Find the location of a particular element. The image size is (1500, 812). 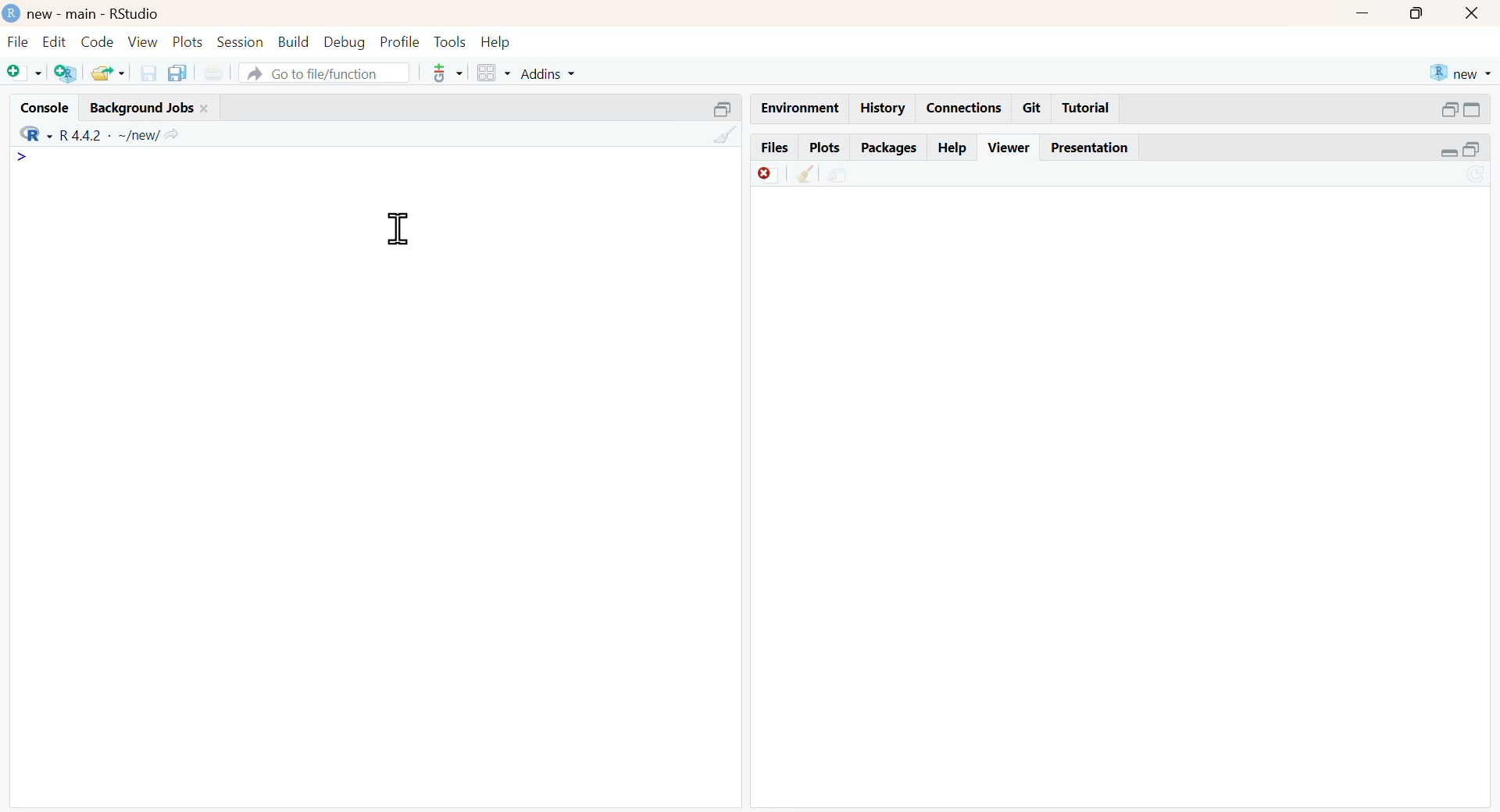

minimize/maximize is located at coordinates (1462, 109).